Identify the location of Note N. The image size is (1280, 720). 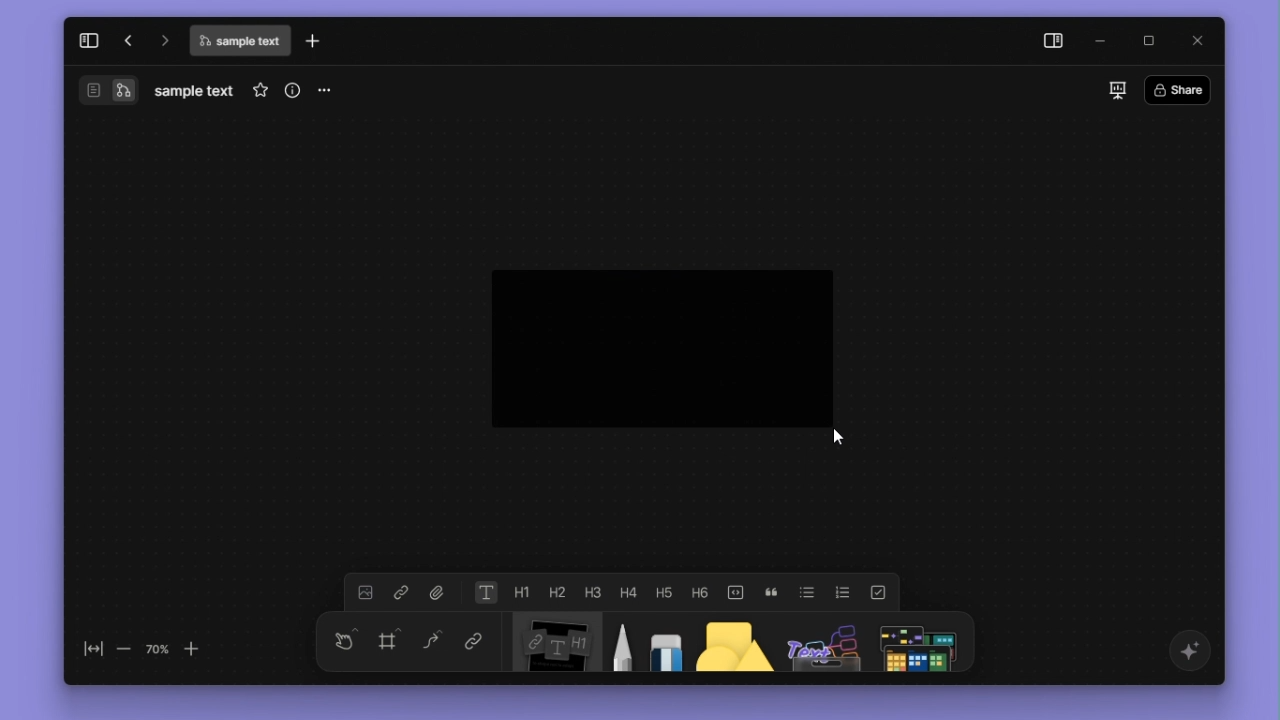
(550, 645).